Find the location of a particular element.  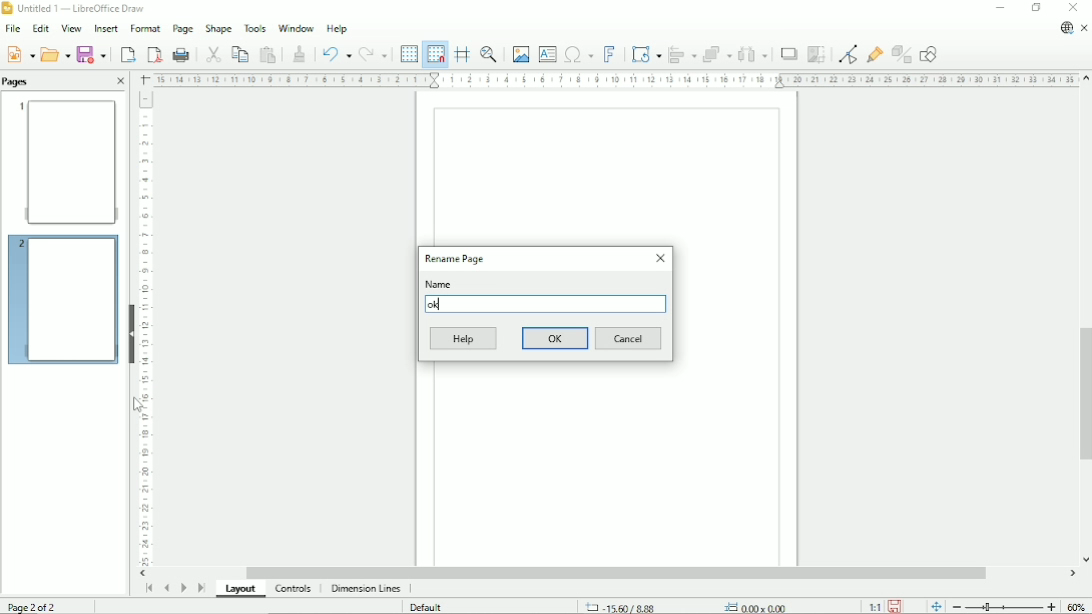

Shadow is located at coordinates (788, 54).